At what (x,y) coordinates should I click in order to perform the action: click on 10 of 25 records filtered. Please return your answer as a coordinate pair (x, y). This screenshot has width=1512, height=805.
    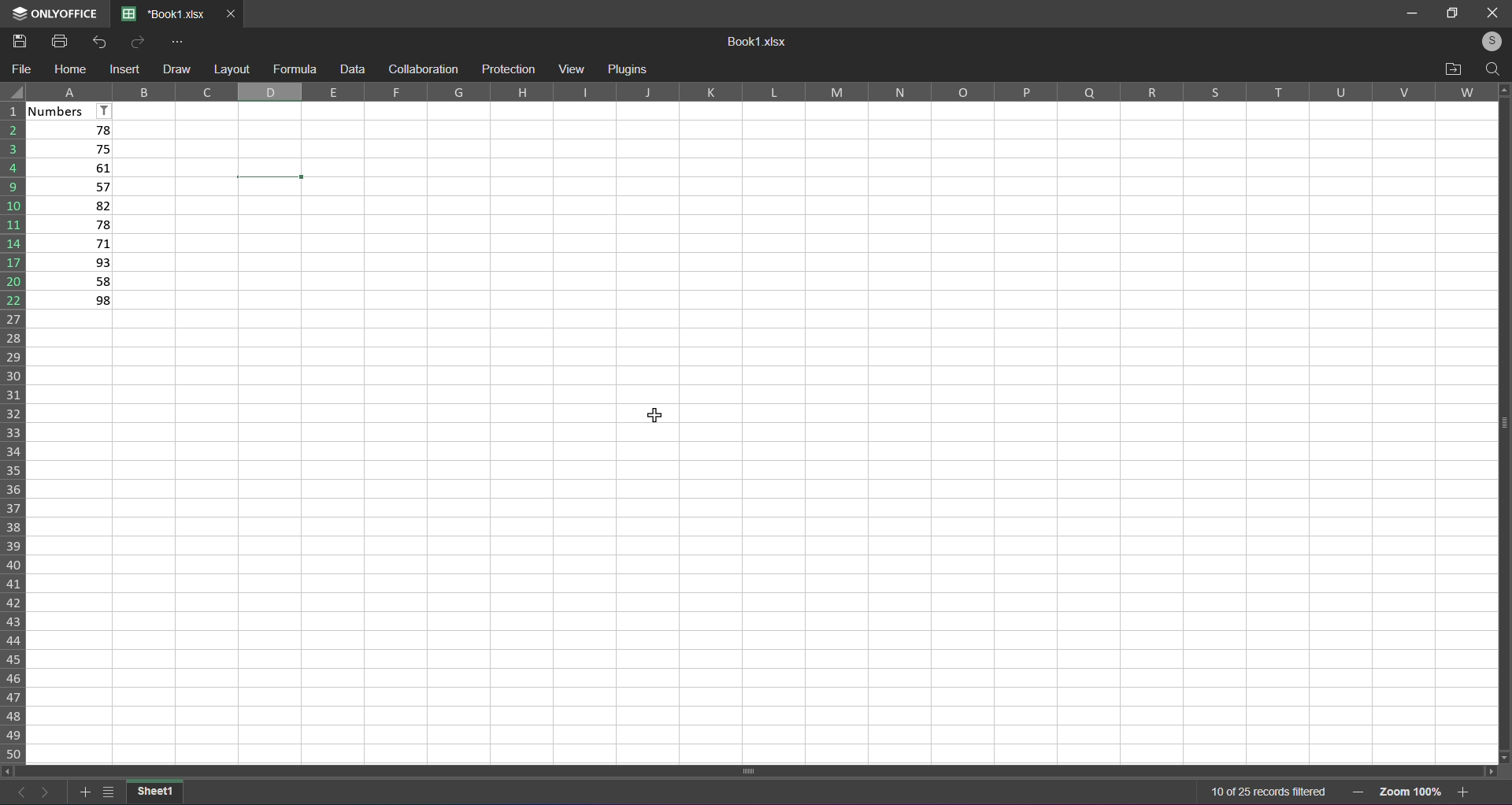
    Looking at the image, I should click on (1269, 793).